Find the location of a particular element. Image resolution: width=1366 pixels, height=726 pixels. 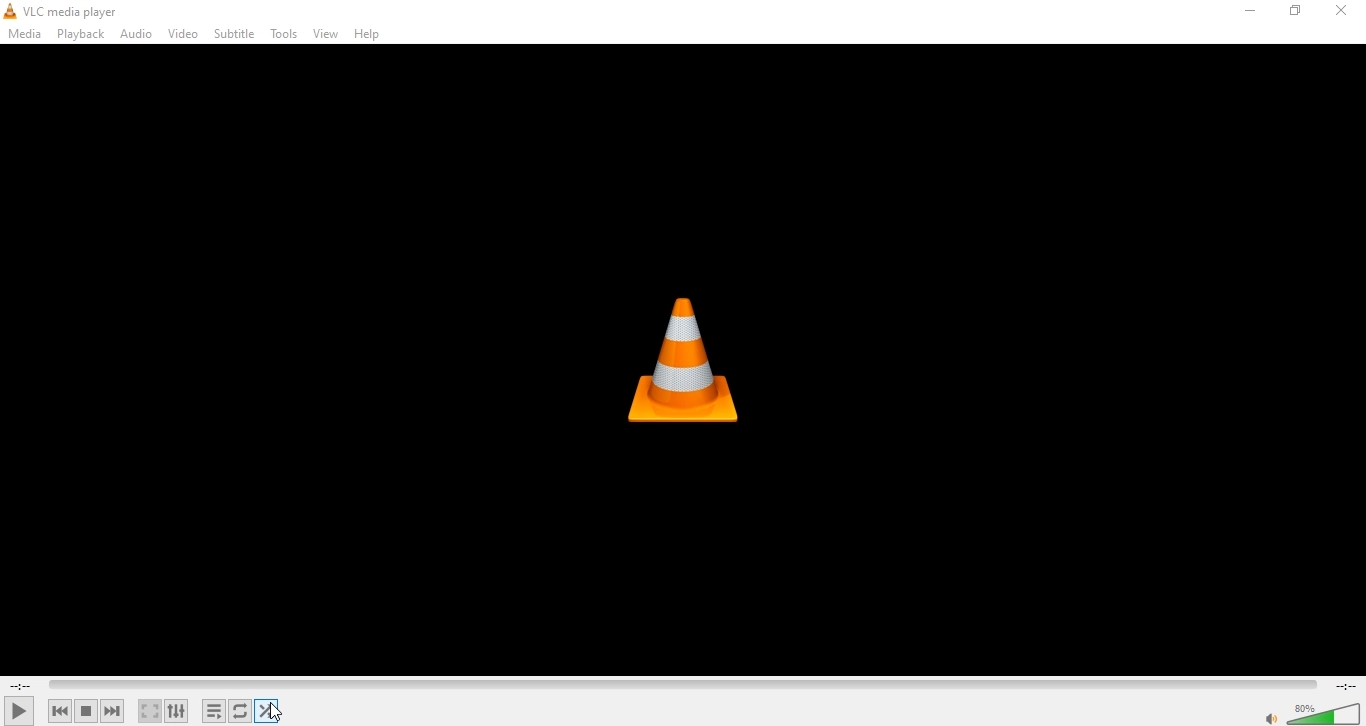

random is located at coordinates (274, 710).